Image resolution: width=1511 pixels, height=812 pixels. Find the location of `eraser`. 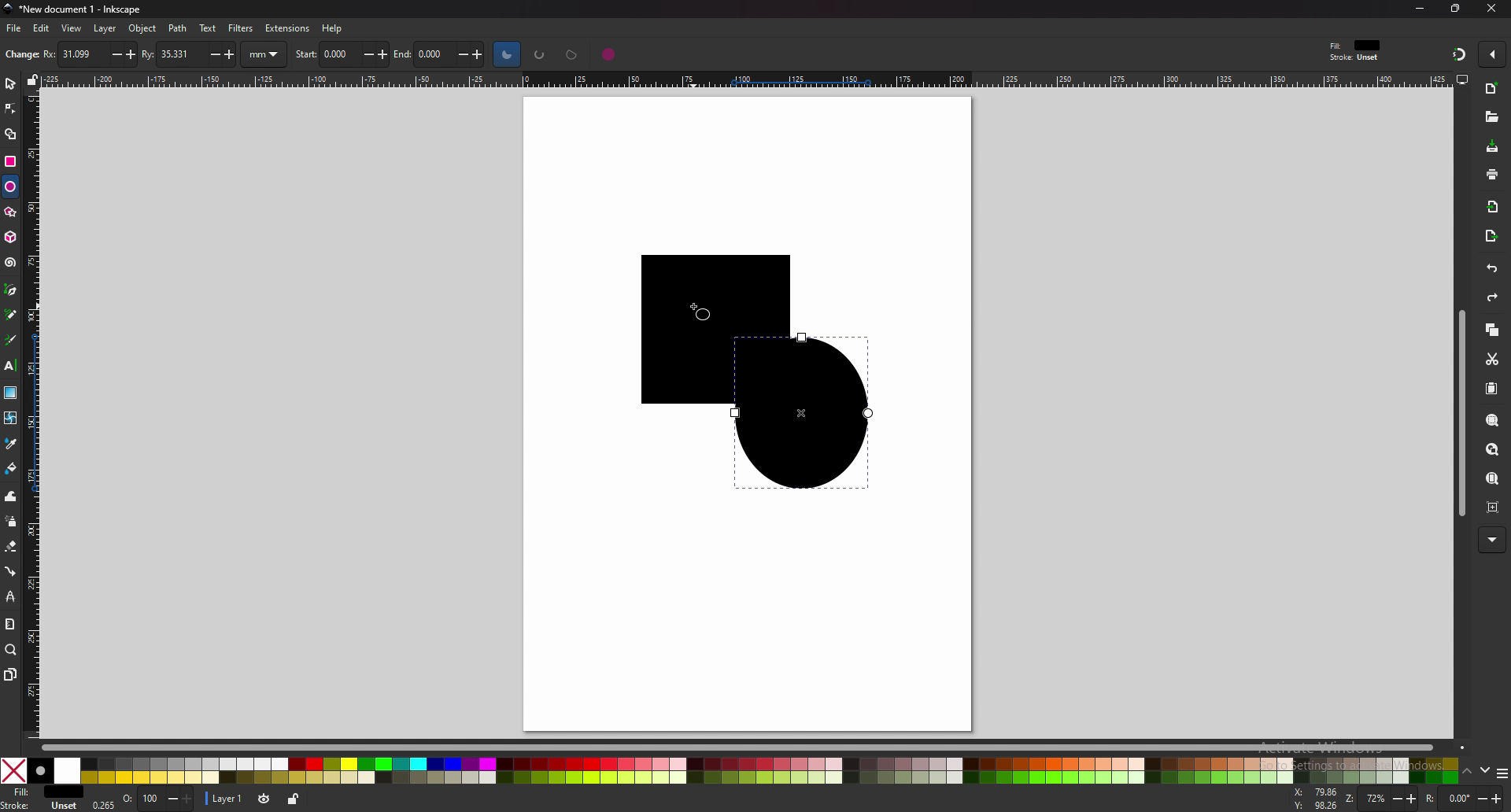

eraser is located at coordinates (11, 546).